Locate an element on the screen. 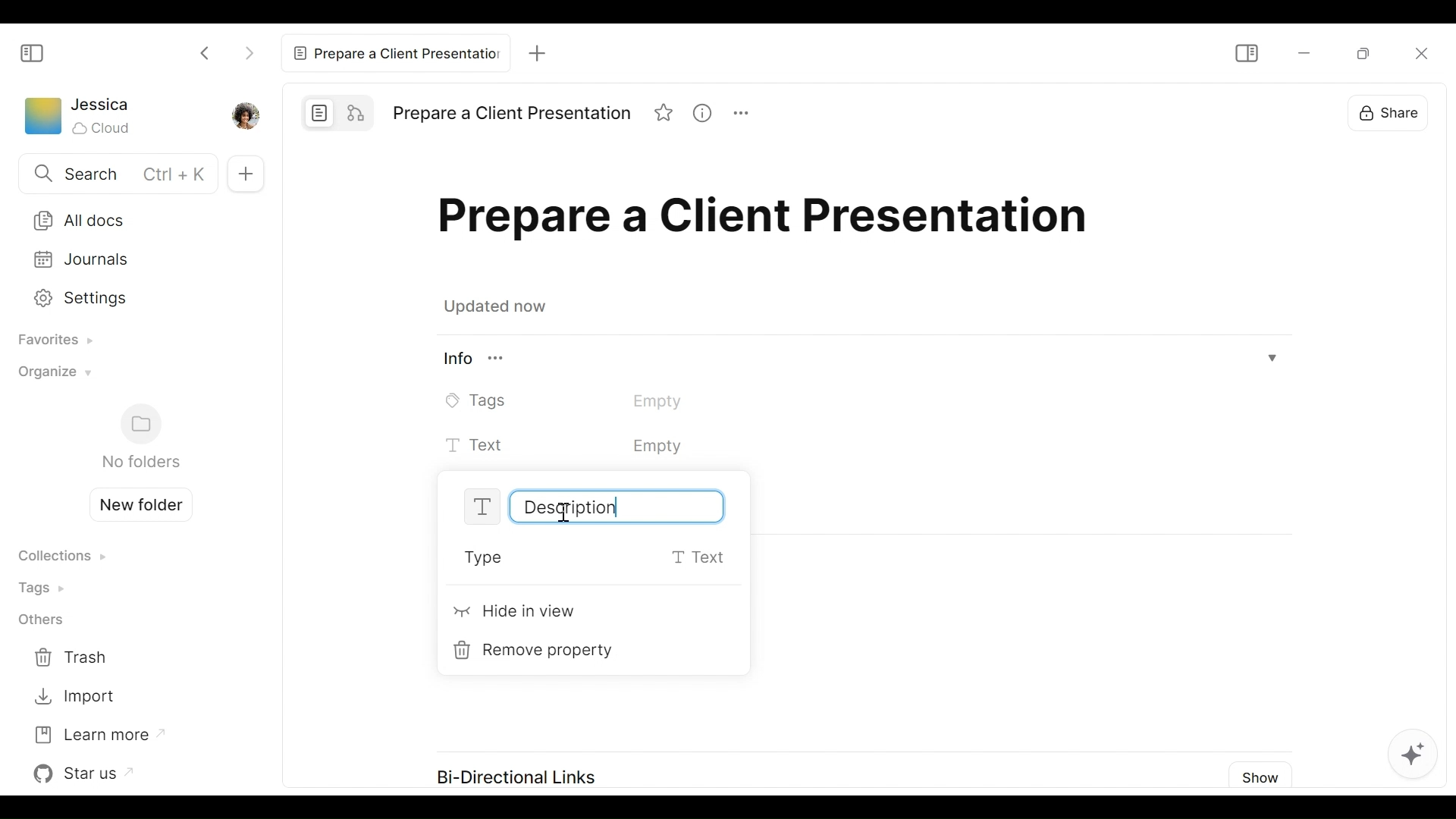 This screenshot has height=819, width=1456. Text is located at coordinates (606, 447).